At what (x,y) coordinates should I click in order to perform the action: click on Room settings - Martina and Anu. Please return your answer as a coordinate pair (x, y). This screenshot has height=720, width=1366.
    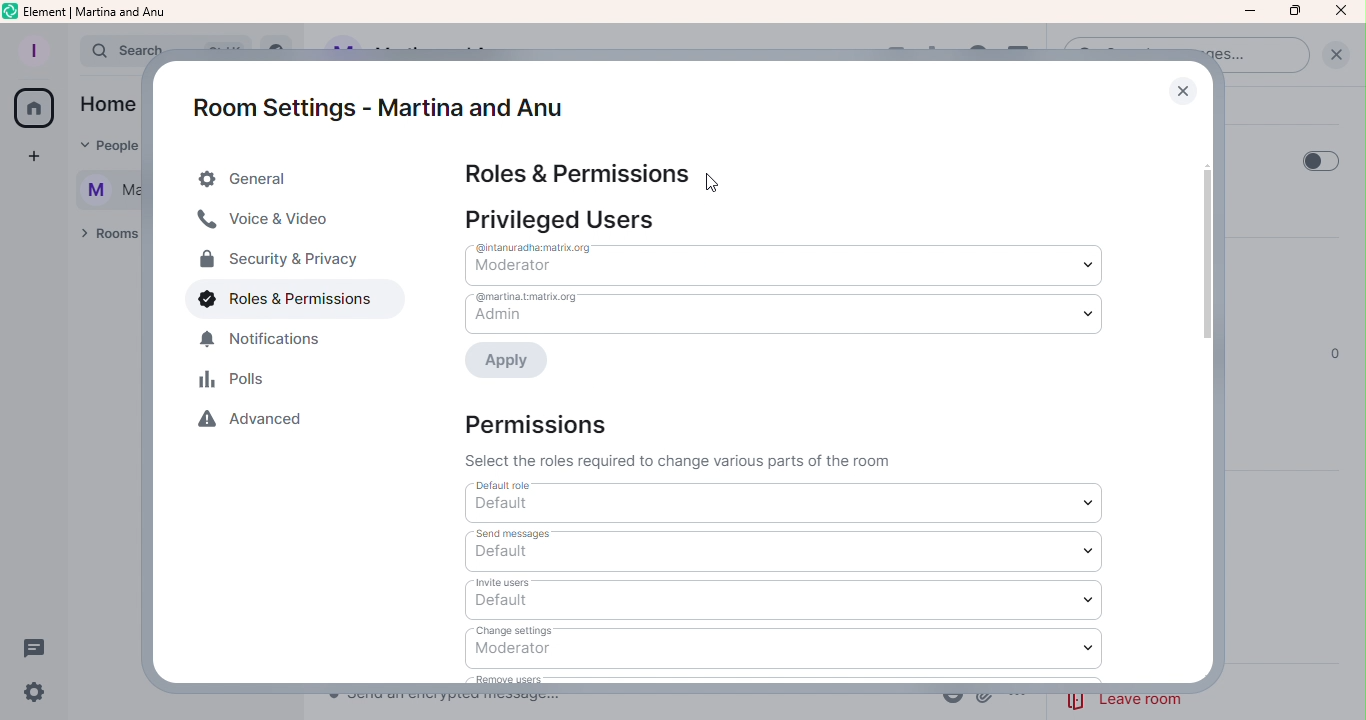
    Looking at the image, I should click on (371, 96).